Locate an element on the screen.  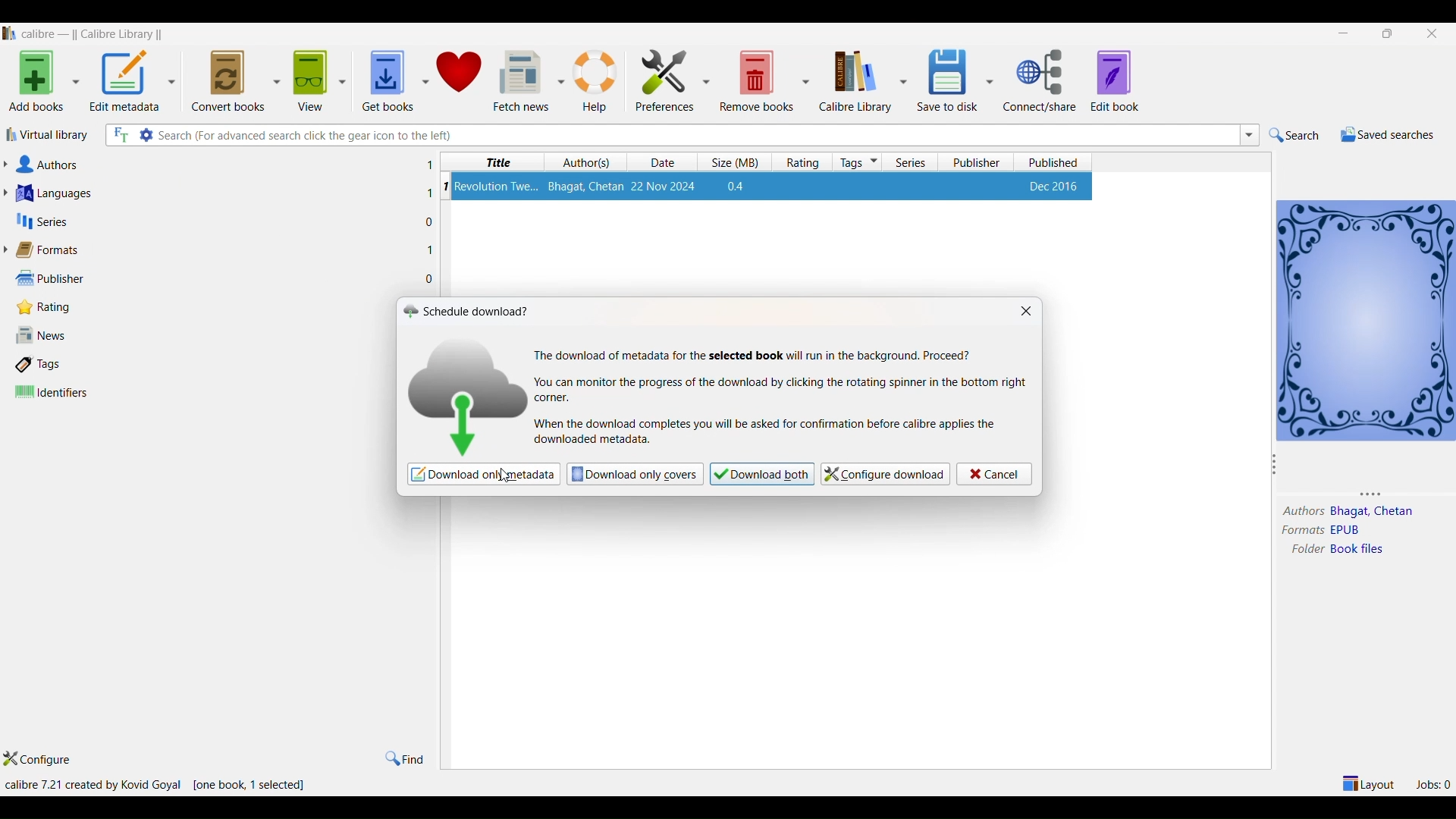
rating is located at coordinates (40, 307).